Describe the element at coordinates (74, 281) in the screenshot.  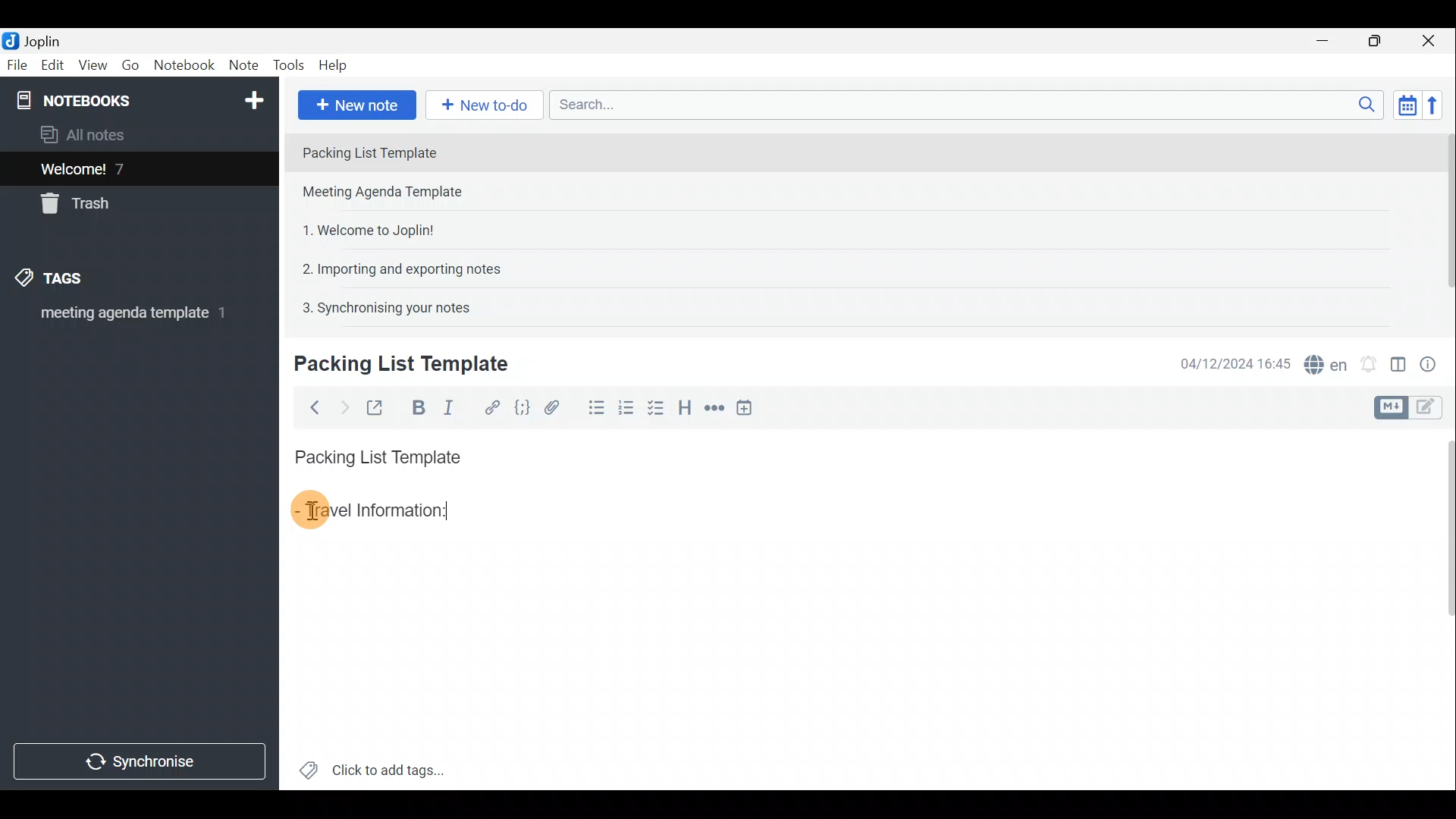
I see `Tags` at that location.